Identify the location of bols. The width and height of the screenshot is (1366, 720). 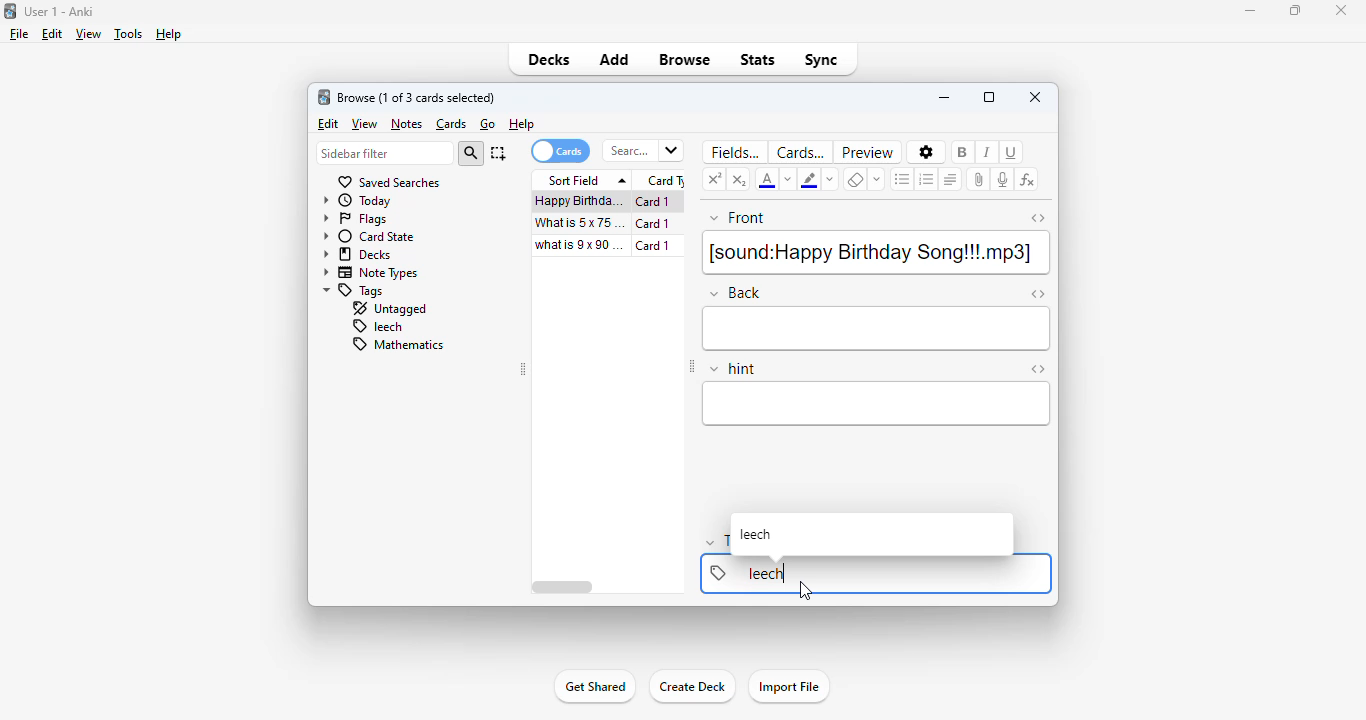
(964, 151).